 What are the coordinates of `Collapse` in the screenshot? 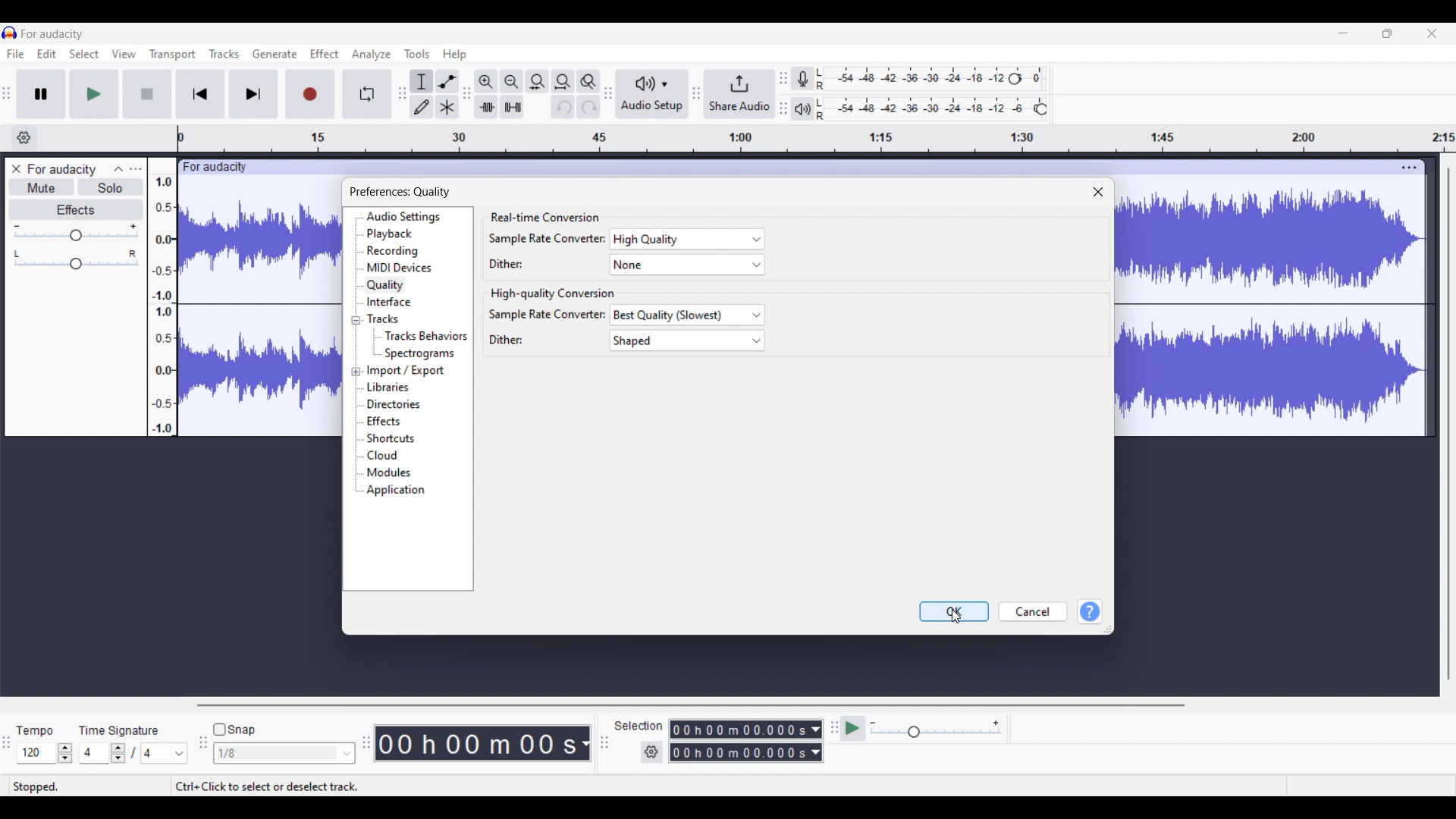 It's located at (118, 169).